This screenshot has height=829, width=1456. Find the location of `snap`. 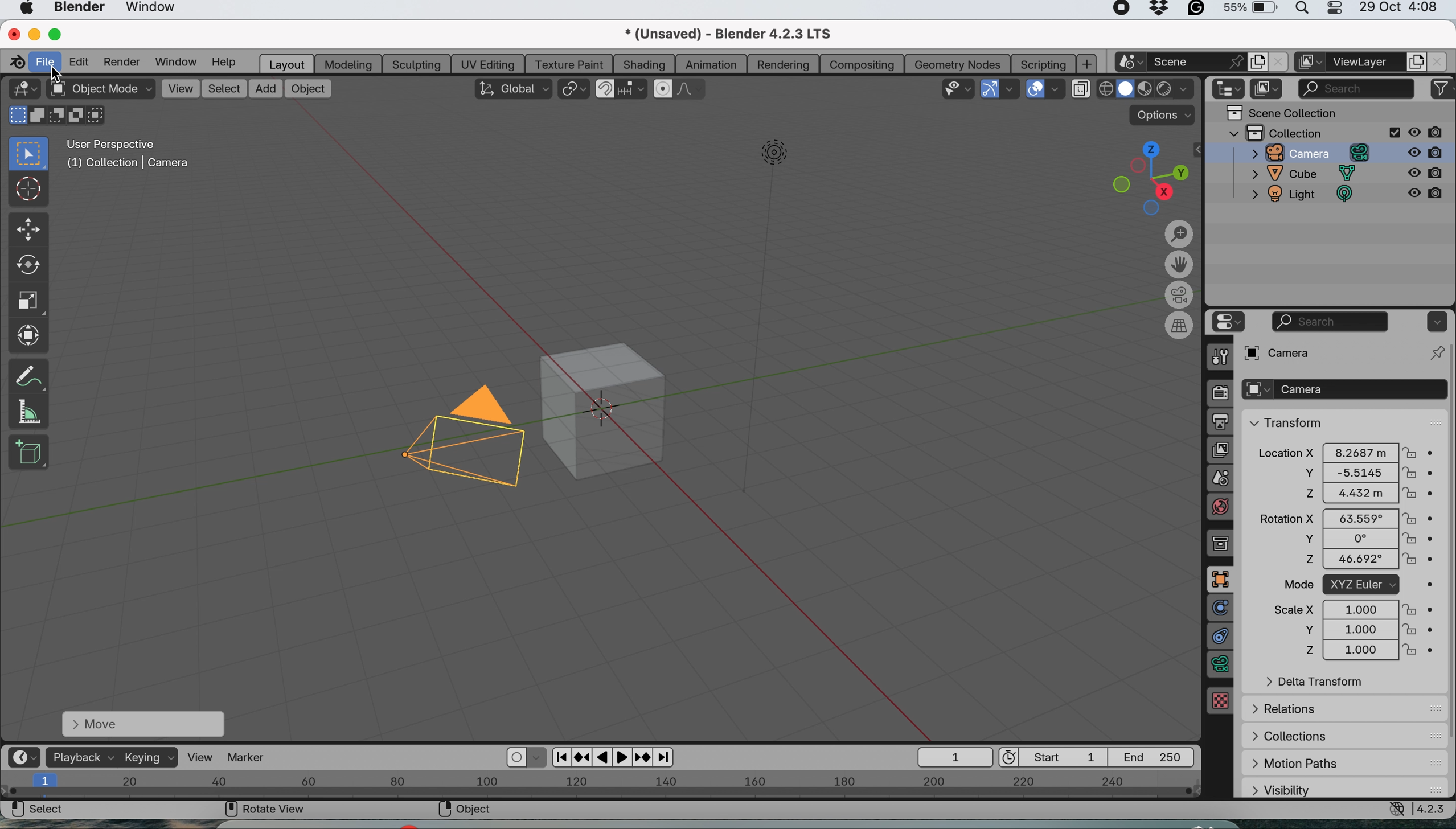

snap is located at coordinates (606, 89).